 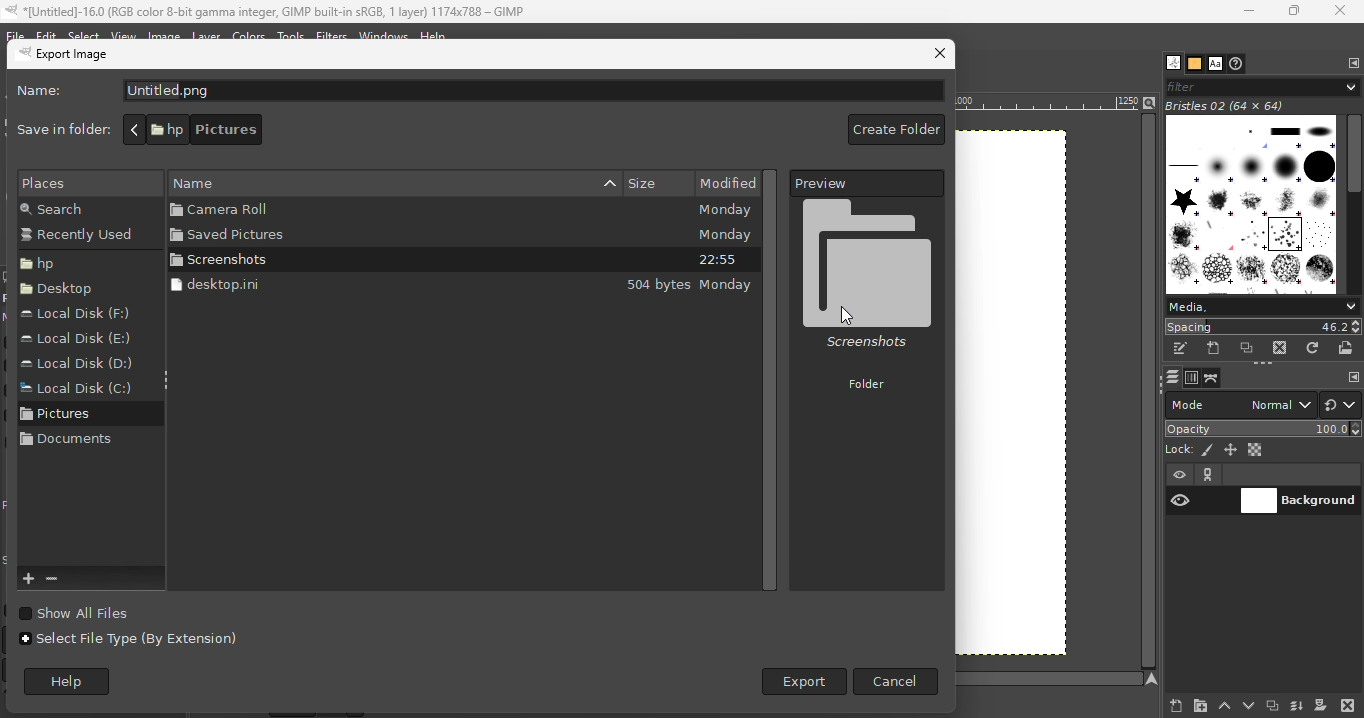 I want to click on Create a new layer, so click(x=1166, y=705).